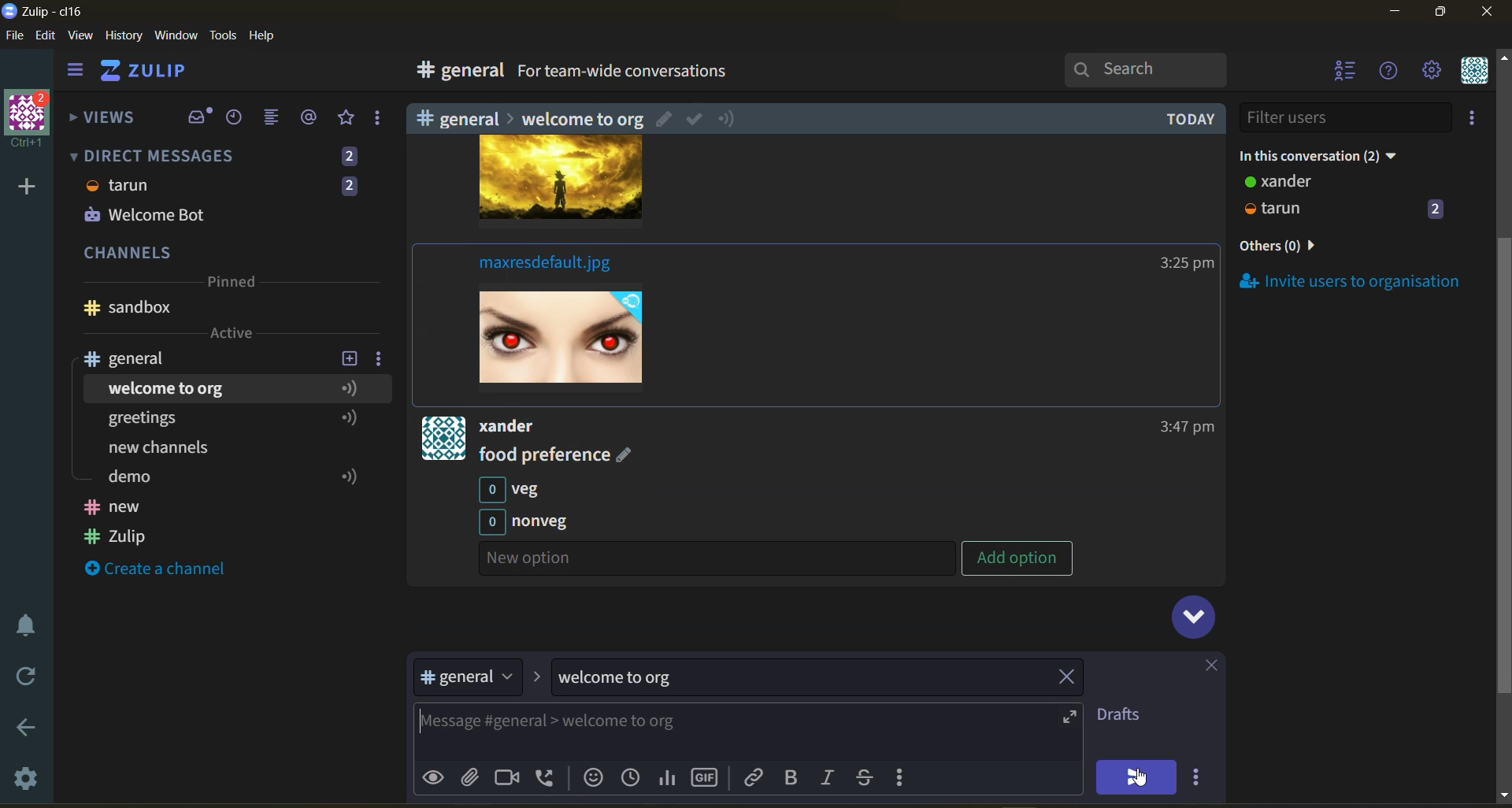 The image size is (1512, 808). What do you see at coordinates (1473, 72) in the screenshot?
I see `personal menu` at bounding box center [1473, 72].